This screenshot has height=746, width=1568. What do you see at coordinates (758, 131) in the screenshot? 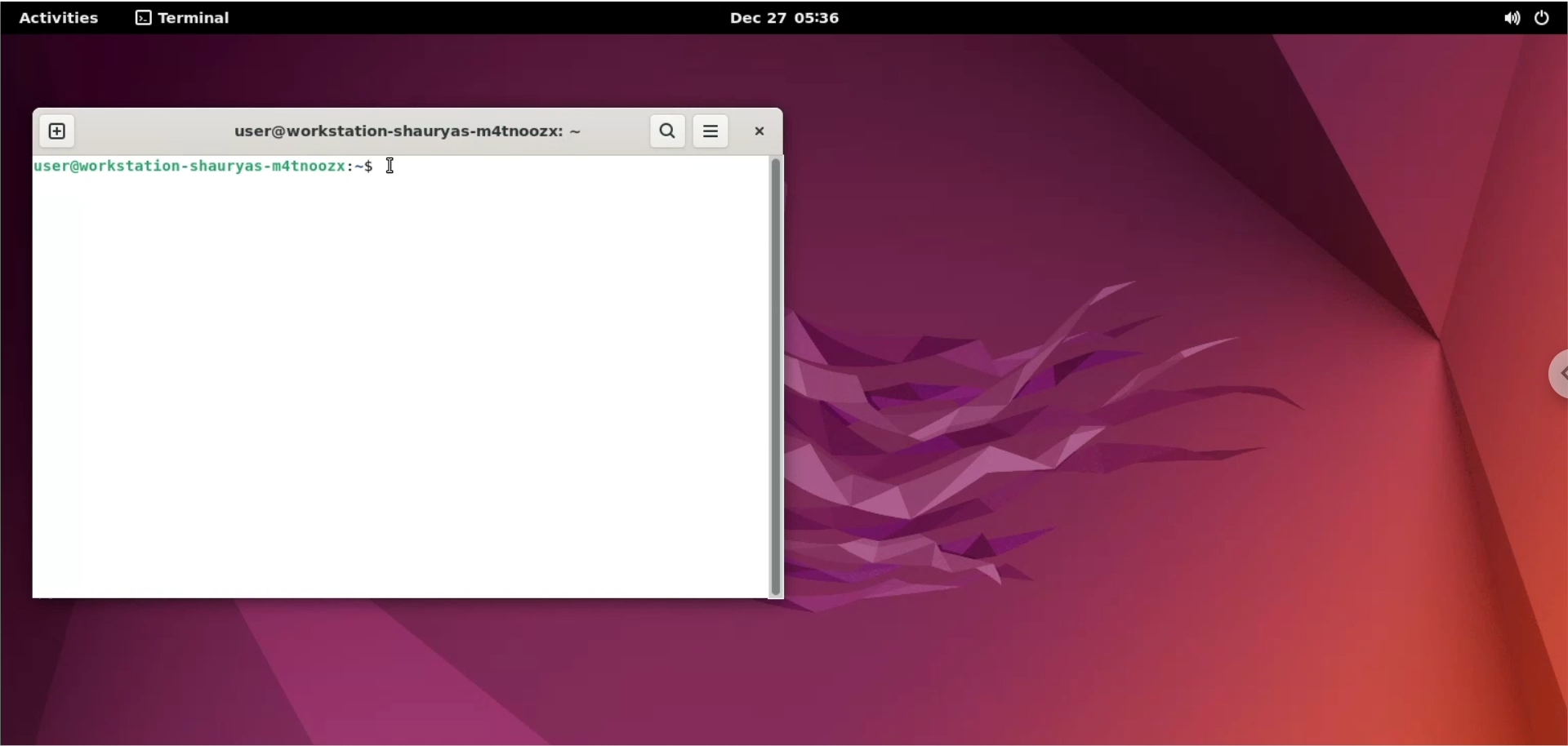
I see `Close` at bounding box center [758, 131].